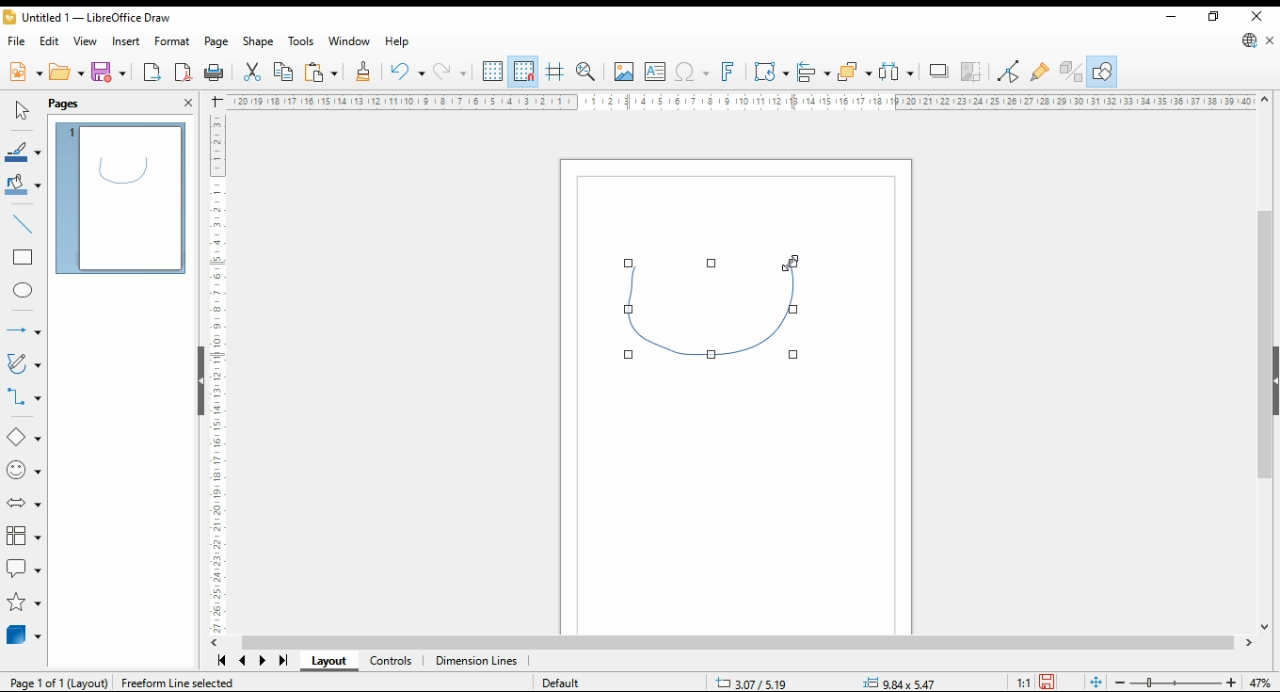  I want to click on stars and banners, so click(23, 603).